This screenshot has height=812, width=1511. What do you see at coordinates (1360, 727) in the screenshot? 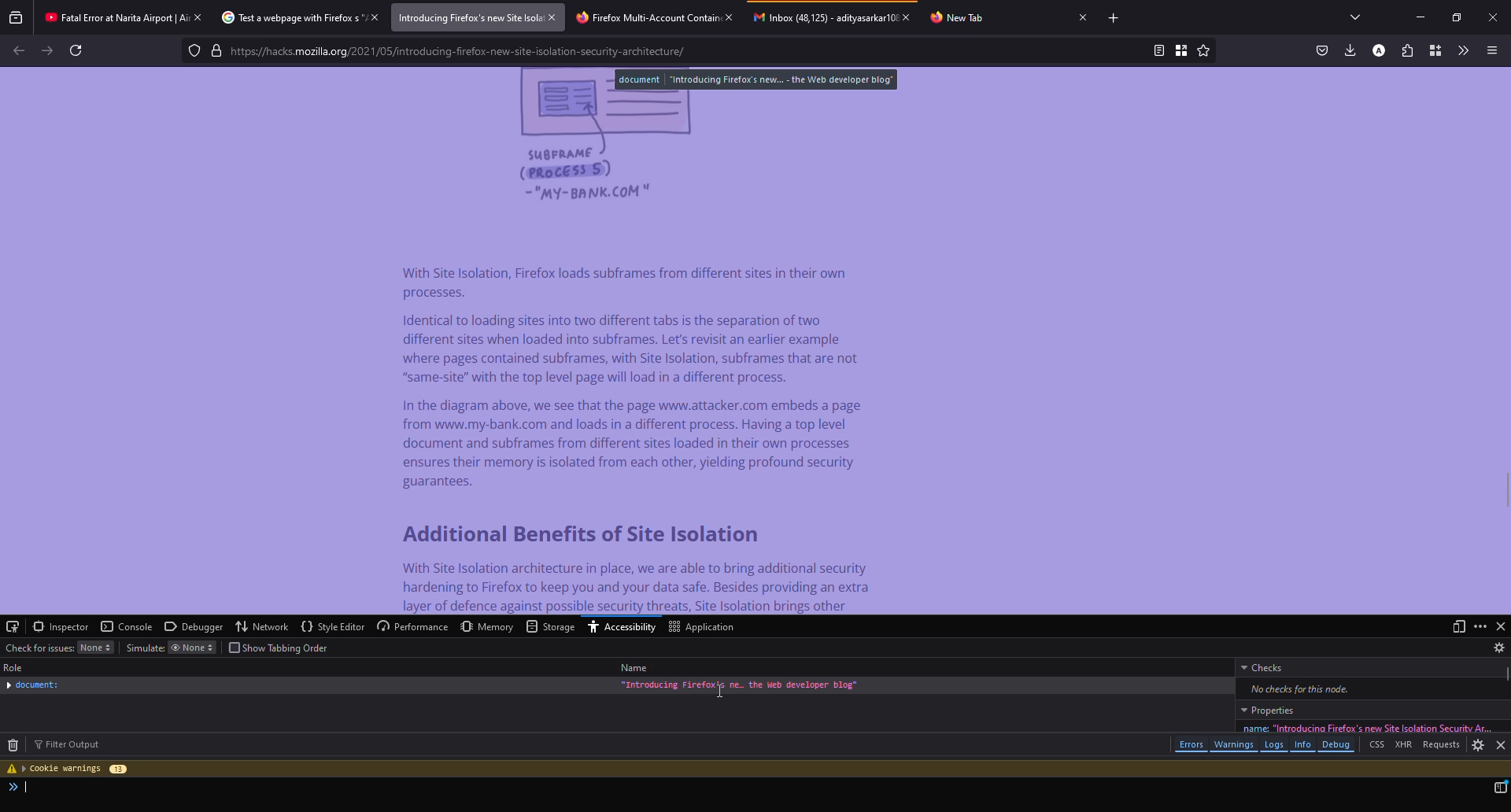
I see `name` at bounding box center [1360, 727].